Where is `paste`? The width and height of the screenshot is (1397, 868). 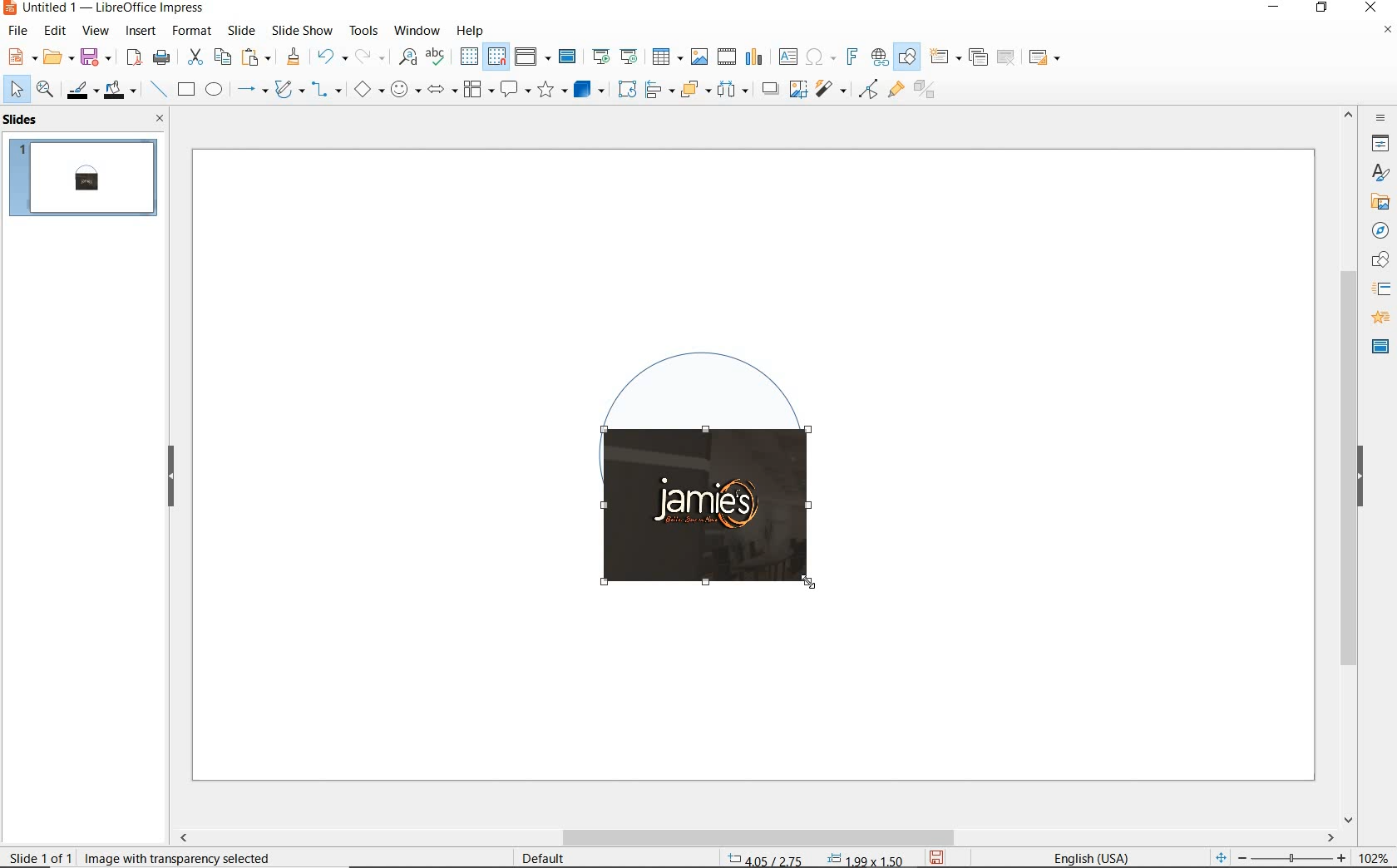
paste is located at coordinates (257, 57).